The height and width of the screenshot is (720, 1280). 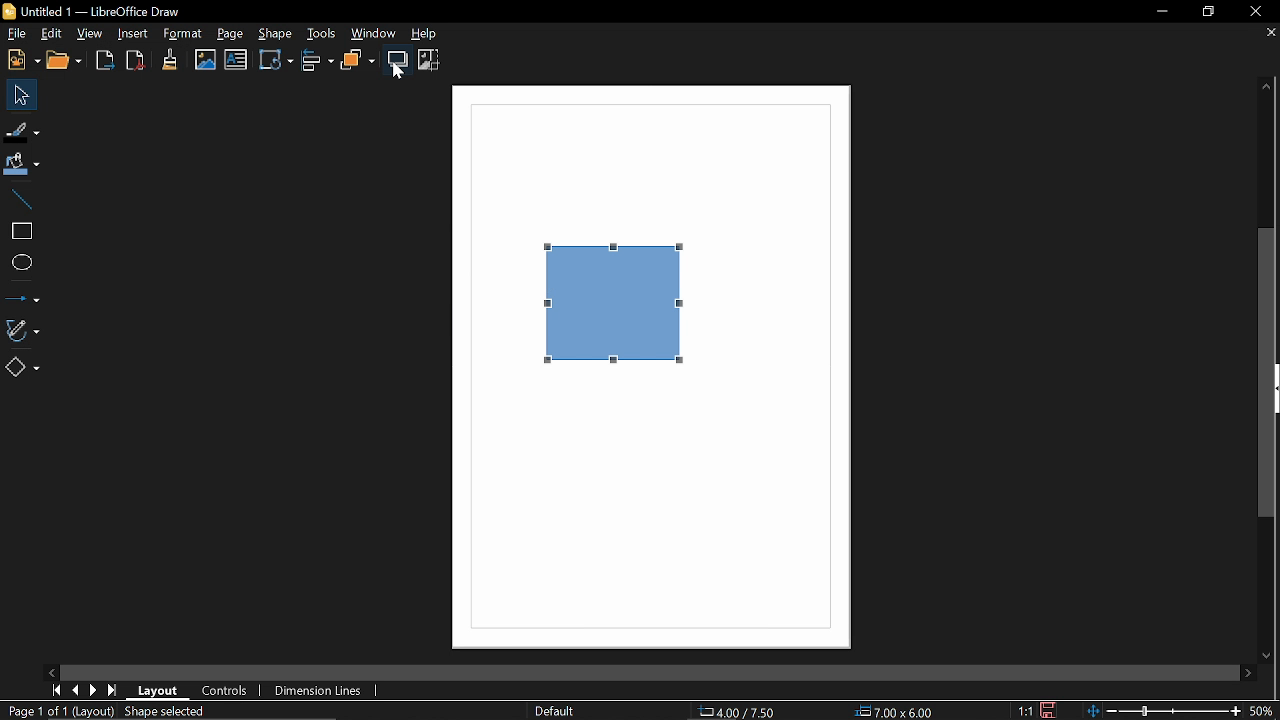 I want to click on dimension lines, so click(x=318, y=690).